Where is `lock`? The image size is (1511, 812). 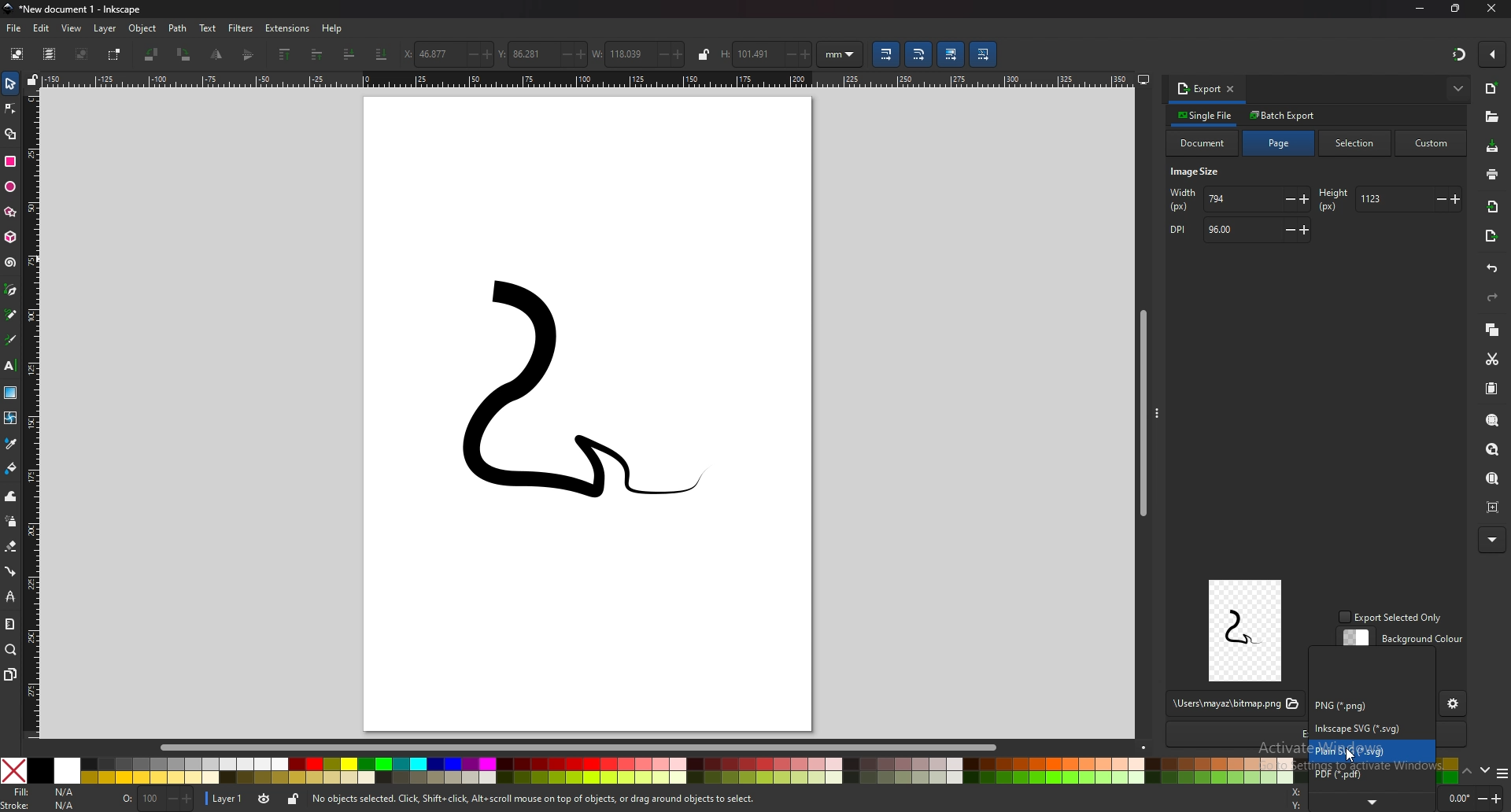
lock is located at coordinates (704, 54).